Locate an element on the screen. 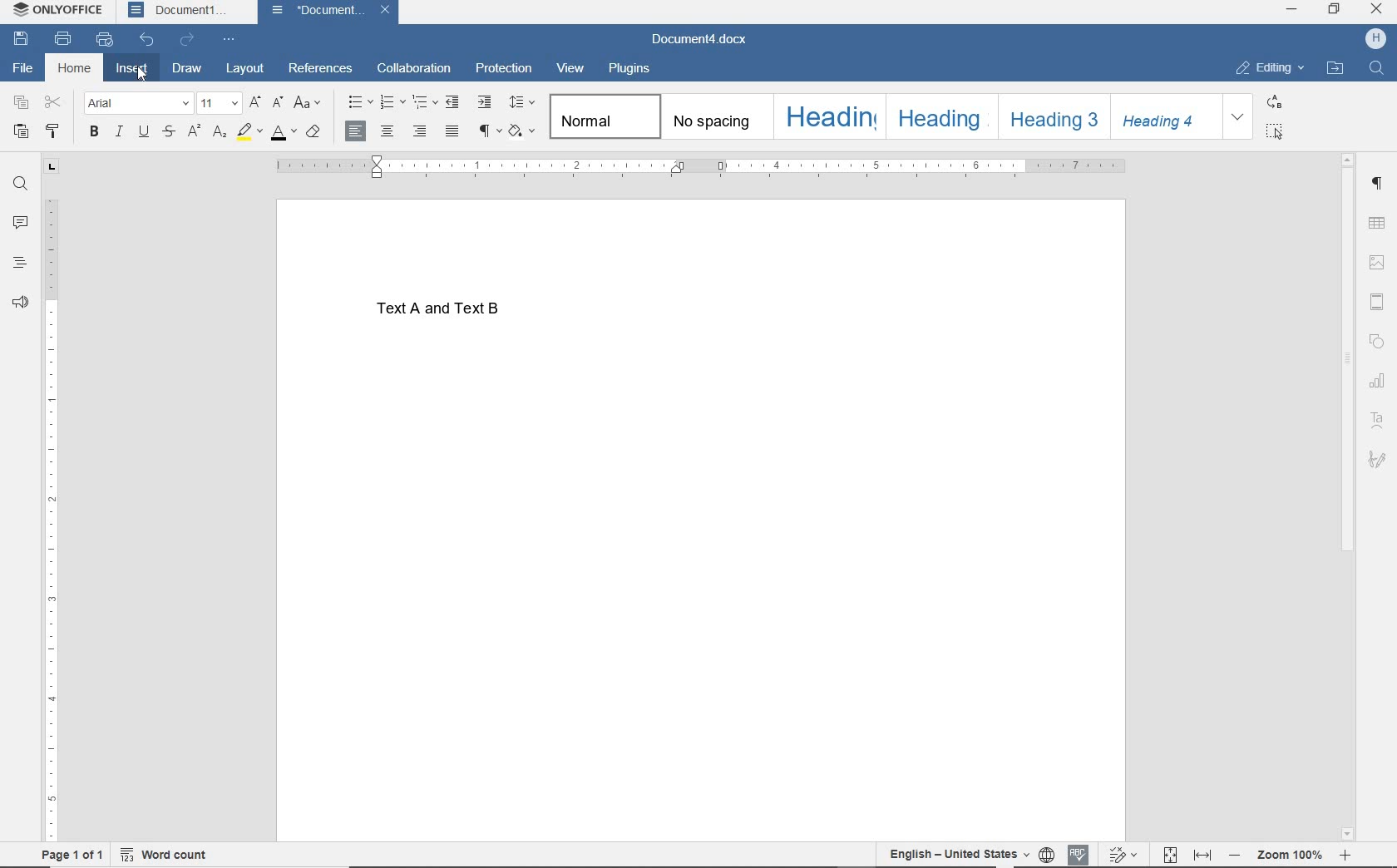  IMAGE is located at coordinates (1376, 264).